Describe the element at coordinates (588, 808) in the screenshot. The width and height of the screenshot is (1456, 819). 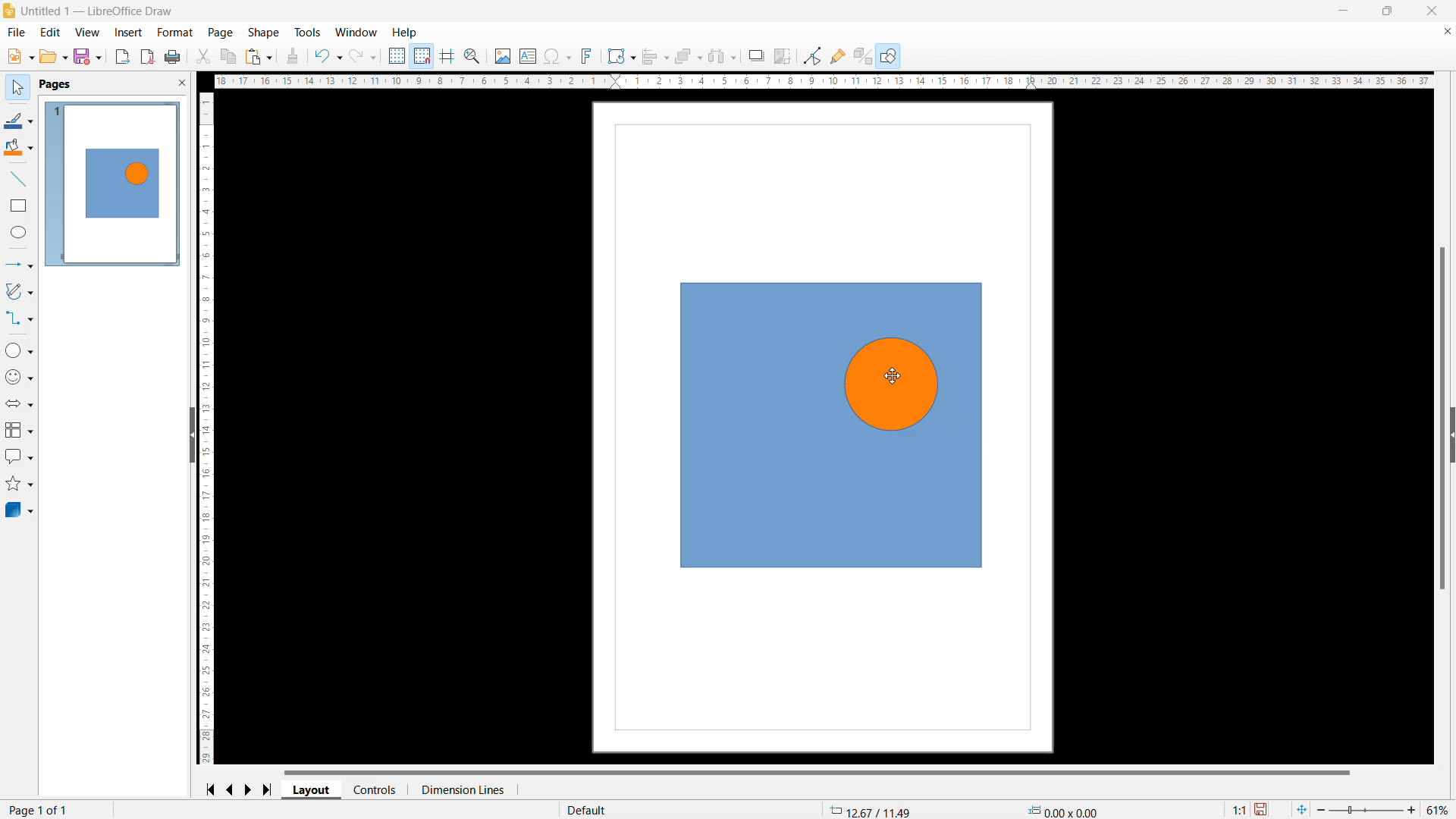
I see `default` at that location.